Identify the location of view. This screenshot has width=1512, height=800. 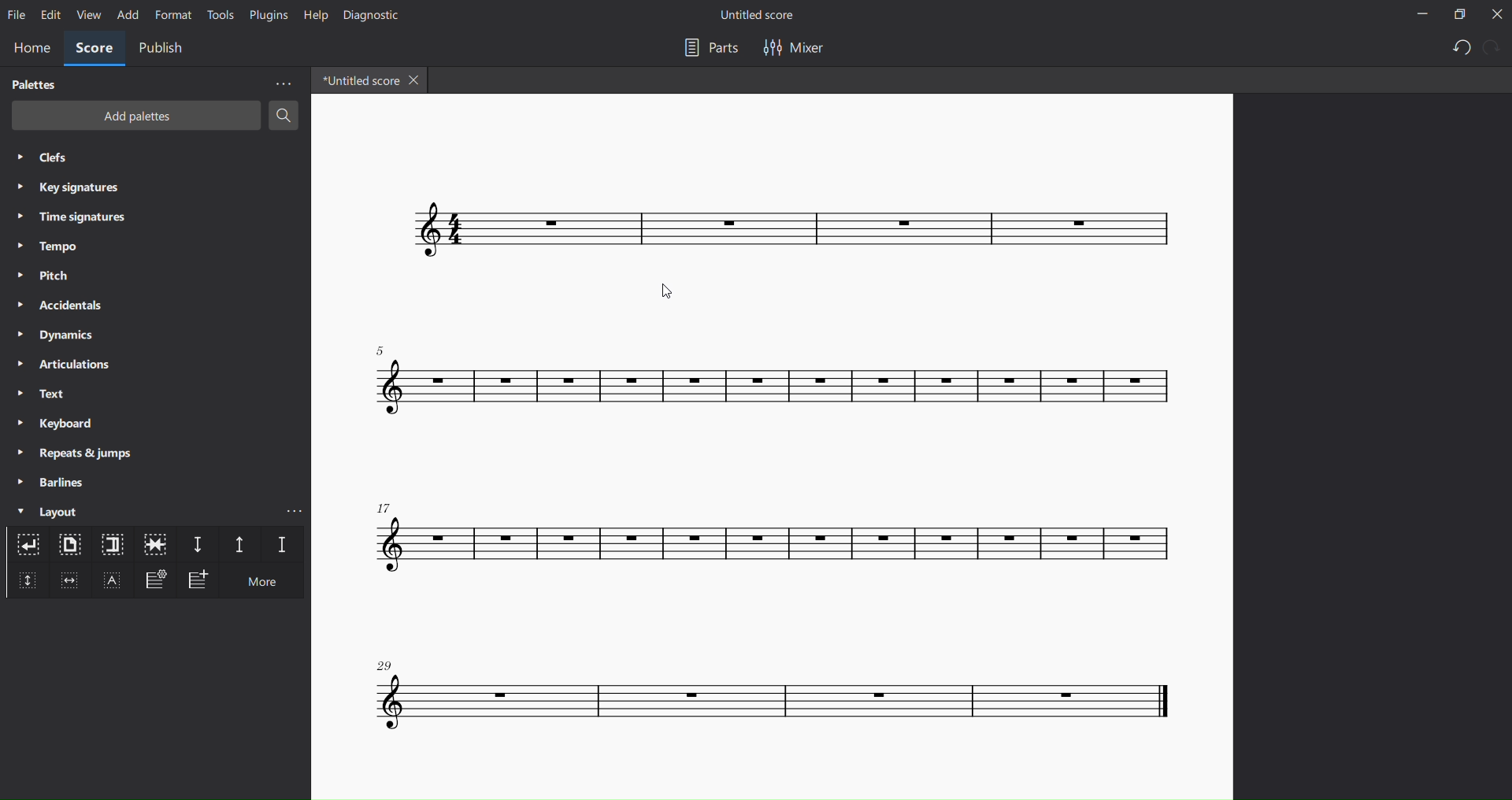
(87, 17).